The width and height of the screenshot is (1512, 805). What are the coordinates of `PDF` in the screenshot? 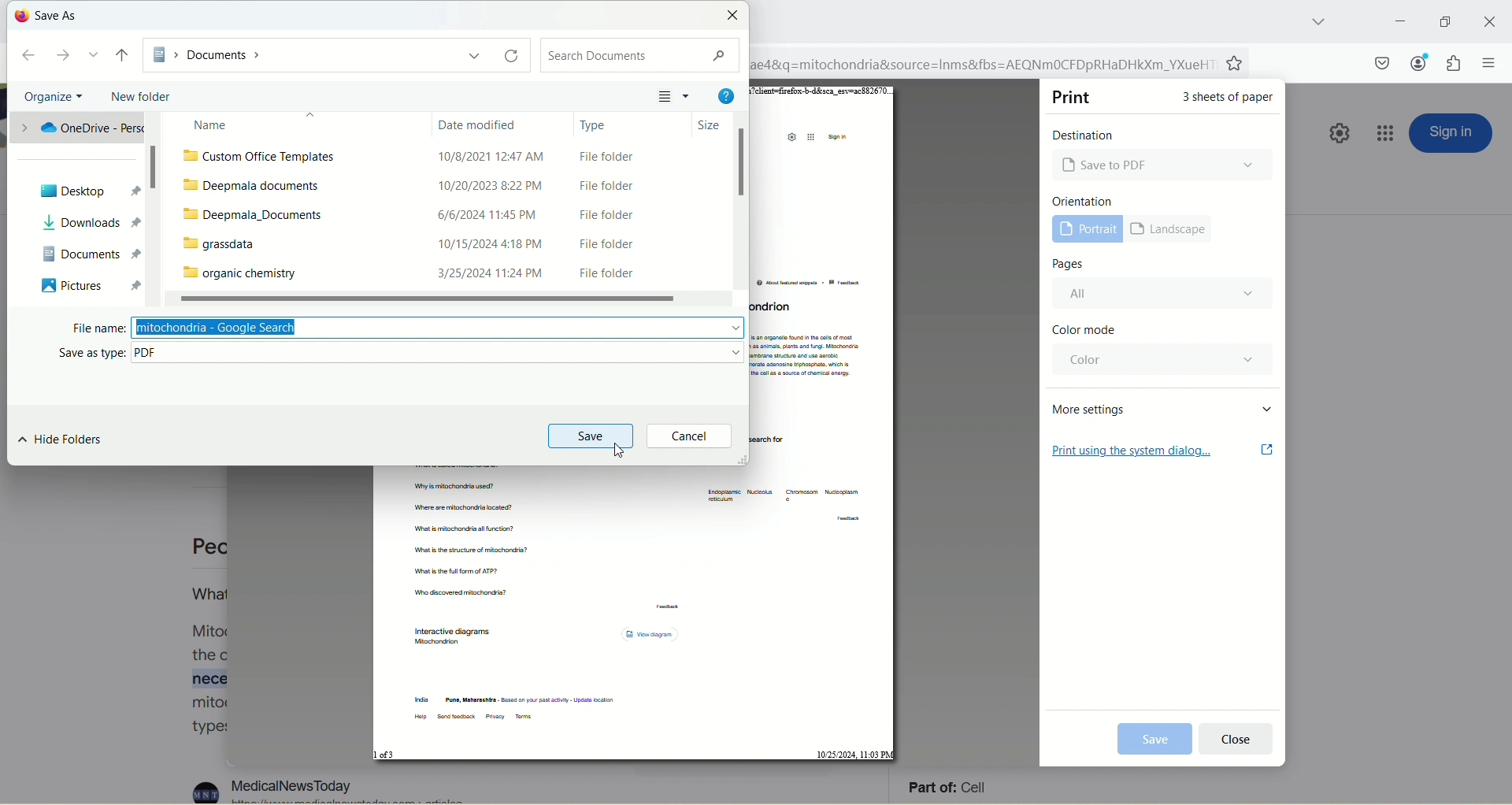 It's located at (439, 353).